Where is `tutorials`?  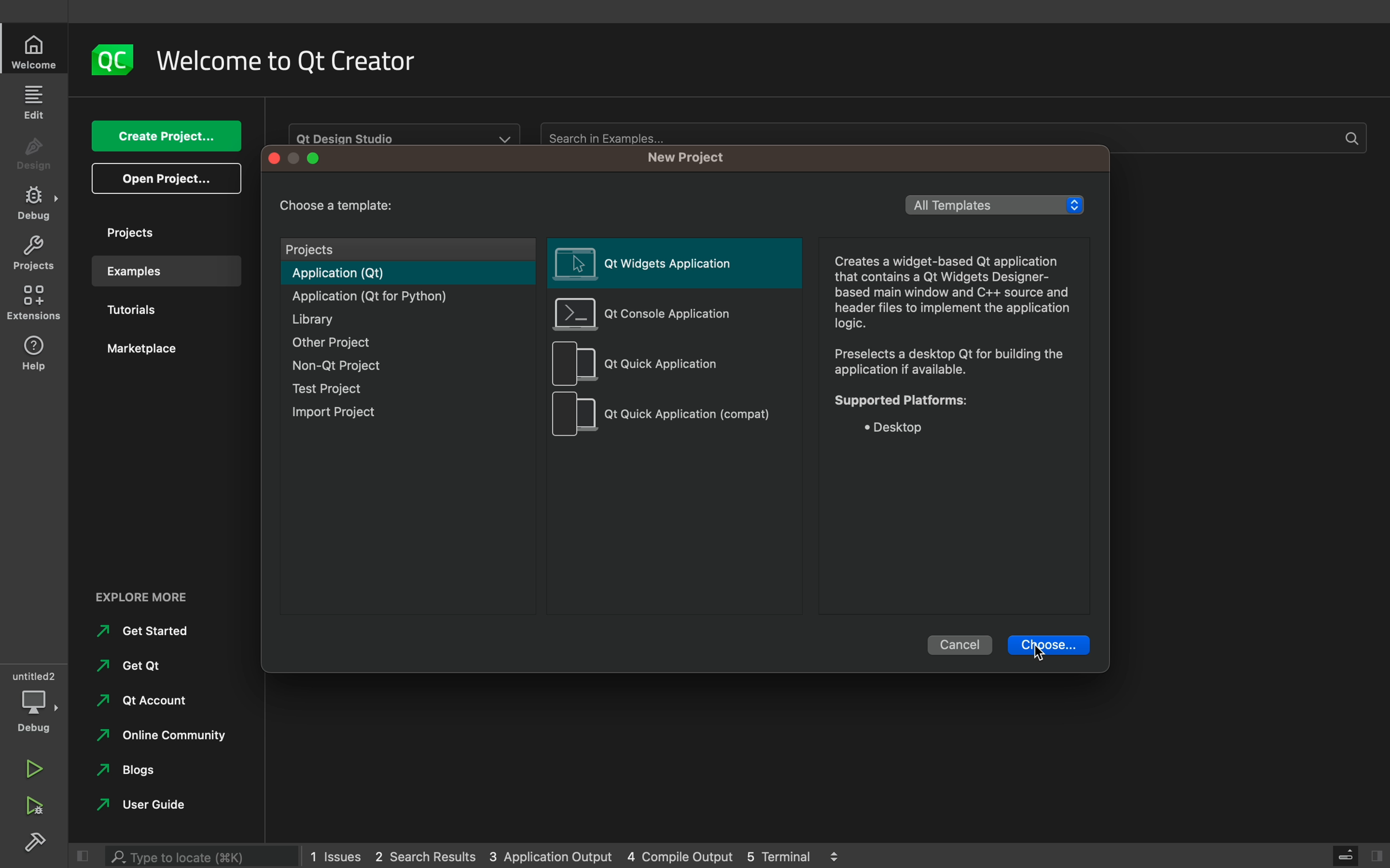
tutorials is located at coordinates (155, 312).